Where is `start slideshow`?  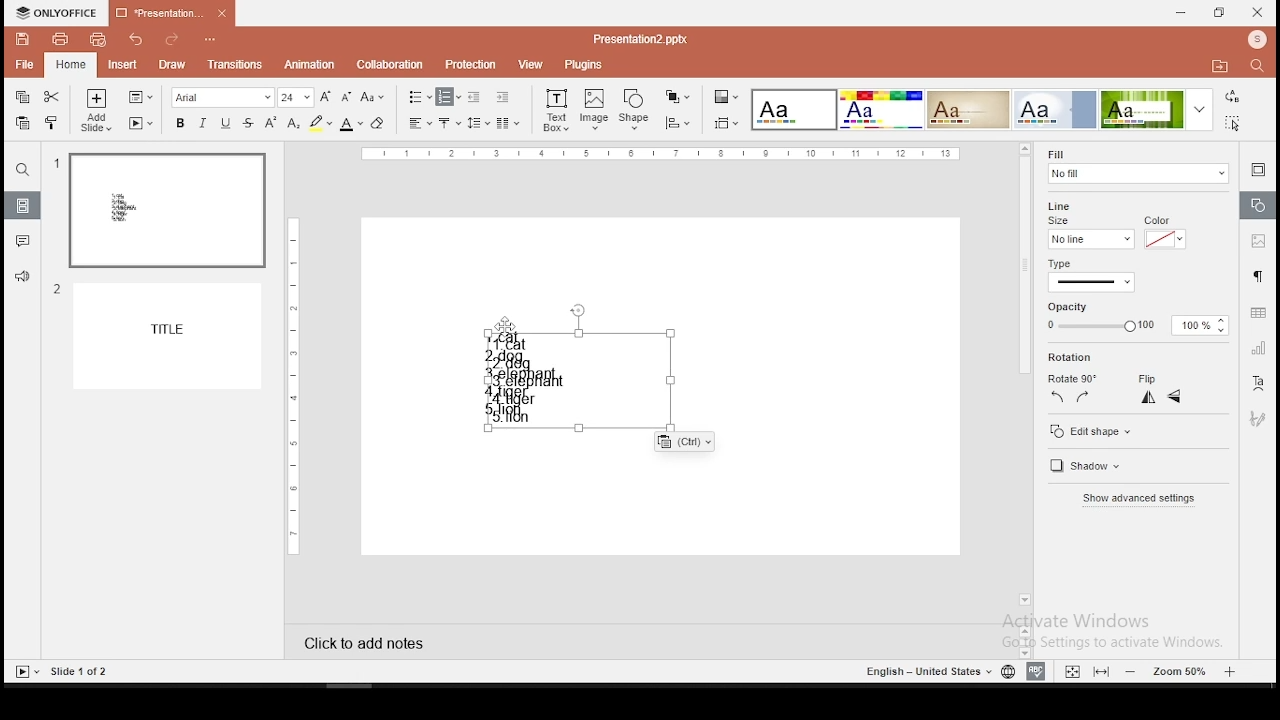
start slideshow is located at coordinates (141, 123).